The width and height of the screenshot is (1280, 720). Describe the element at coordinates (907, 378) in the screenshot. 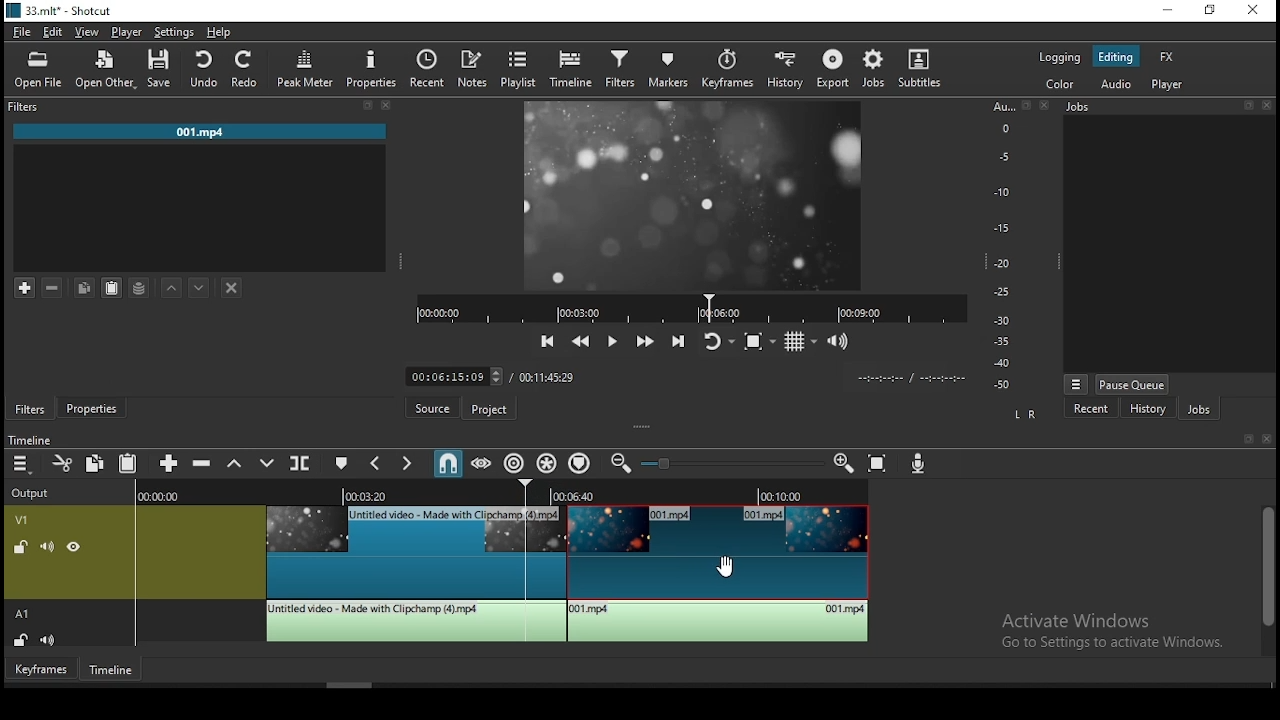

I see `time format` at that location.